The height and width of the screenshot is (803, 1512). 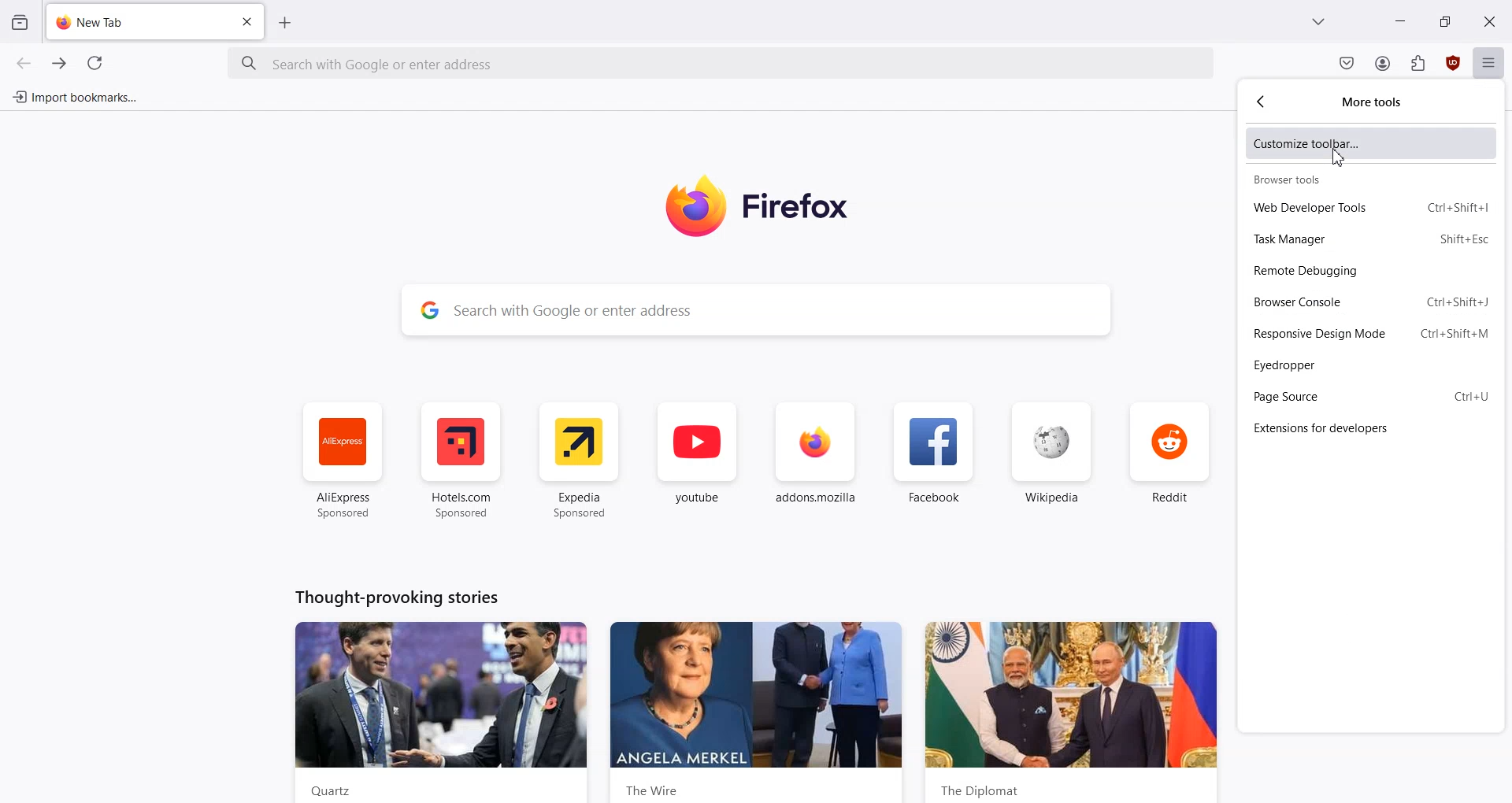 I want to click on Browser Console, so click(x=1334, y=304).